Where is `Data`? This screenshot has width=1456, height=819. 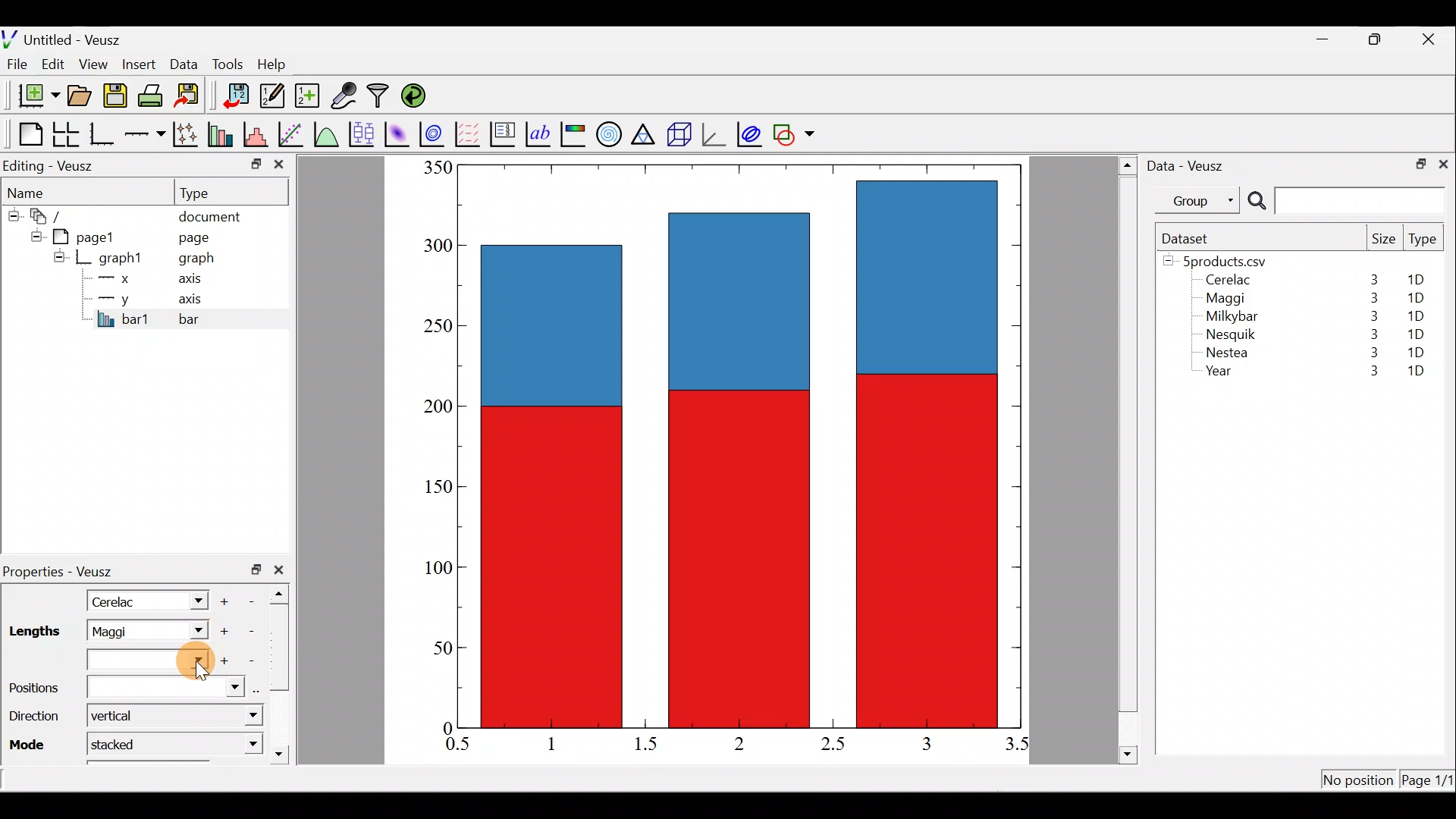 Data is located at coordinates (184, 63).